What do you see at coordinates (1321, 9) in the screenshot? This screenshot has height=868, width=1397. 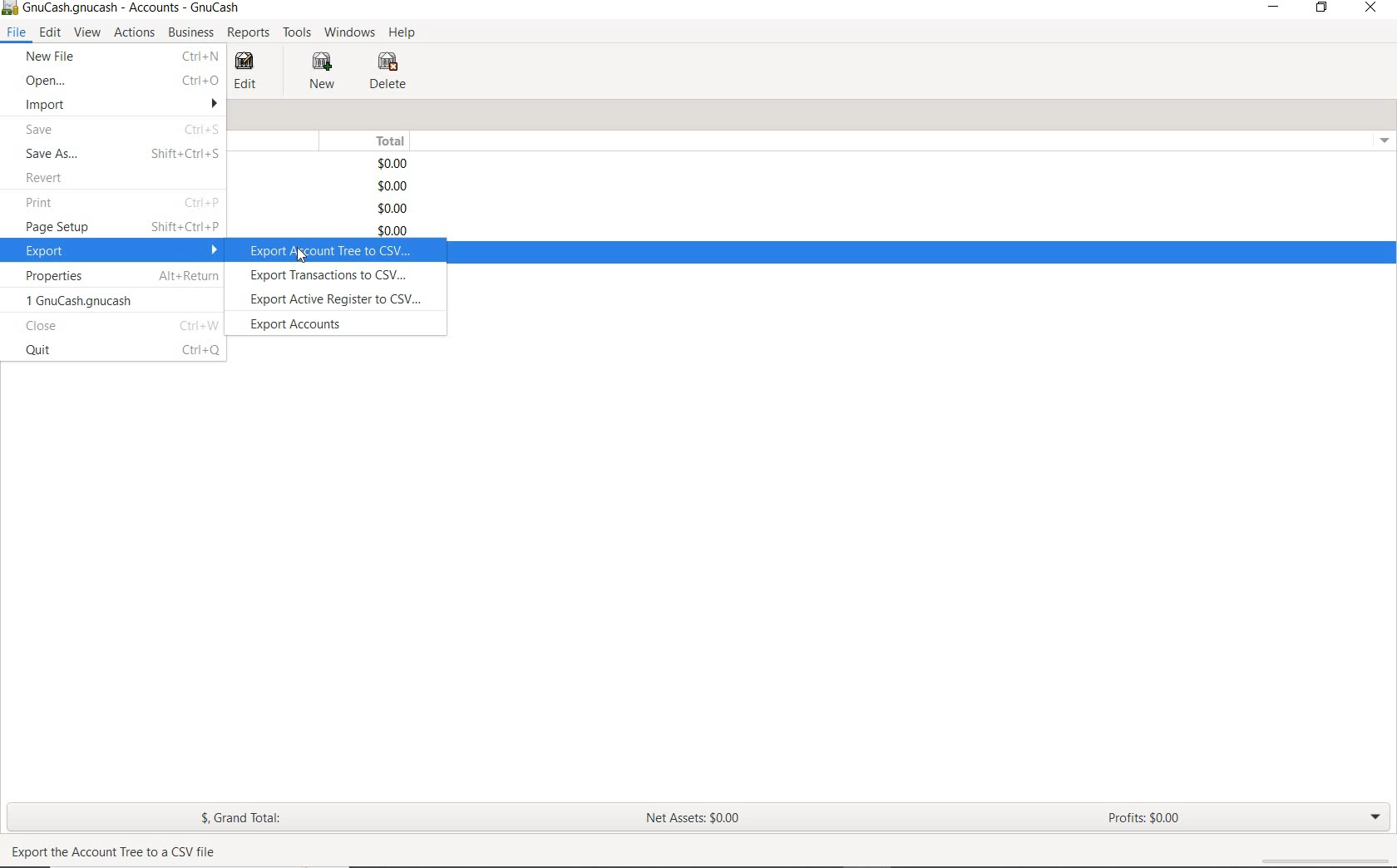 I see `RESTORE DOWN` at bounding box center [1321, 9].